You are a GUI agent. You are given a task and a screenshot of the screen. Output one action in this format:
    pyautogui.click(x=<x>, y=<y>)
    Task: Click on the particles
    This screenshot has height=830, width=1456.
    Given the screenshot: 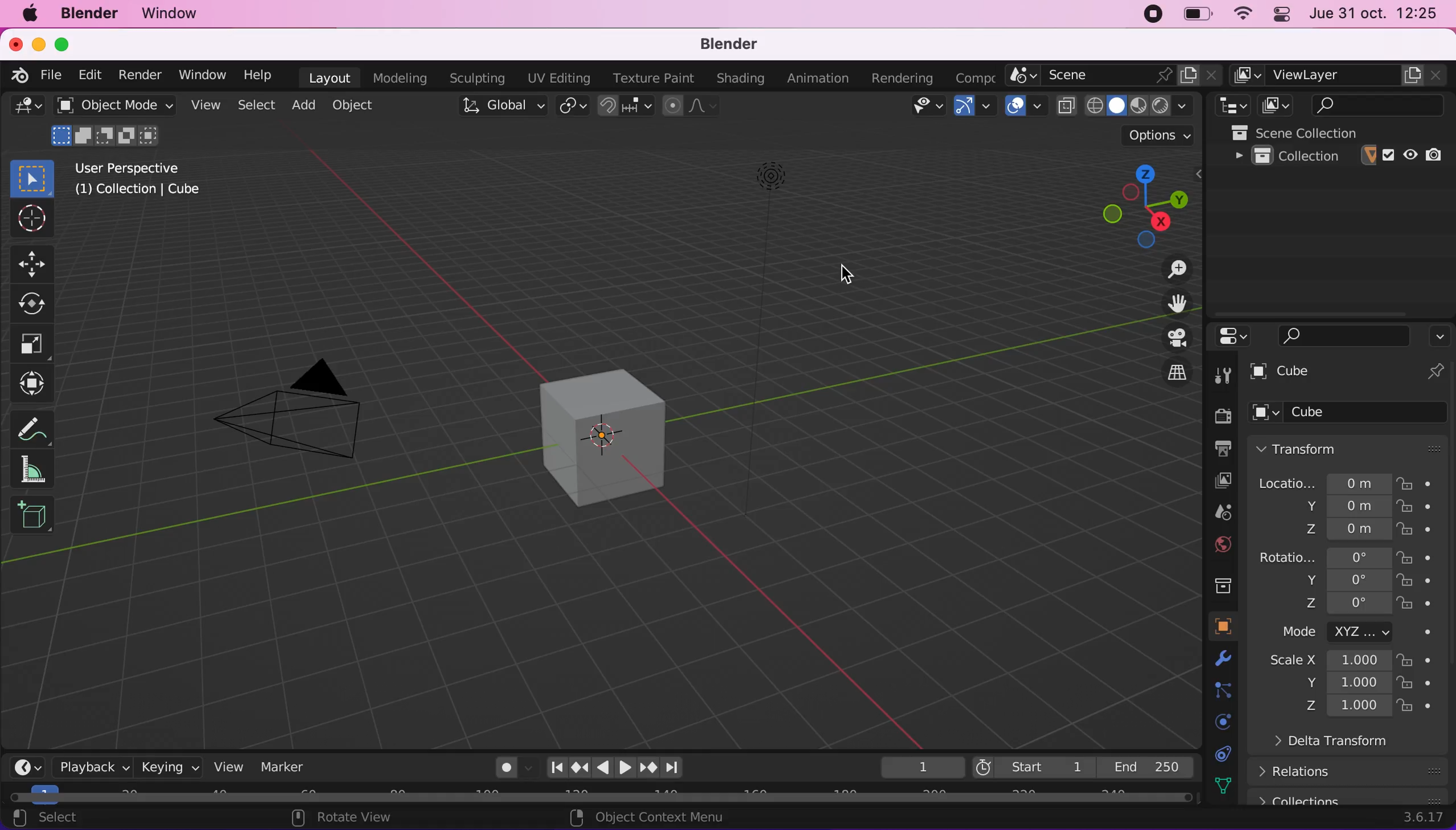 What is the action you would take?
    pyautogui.click(x=1218, y=690)
    